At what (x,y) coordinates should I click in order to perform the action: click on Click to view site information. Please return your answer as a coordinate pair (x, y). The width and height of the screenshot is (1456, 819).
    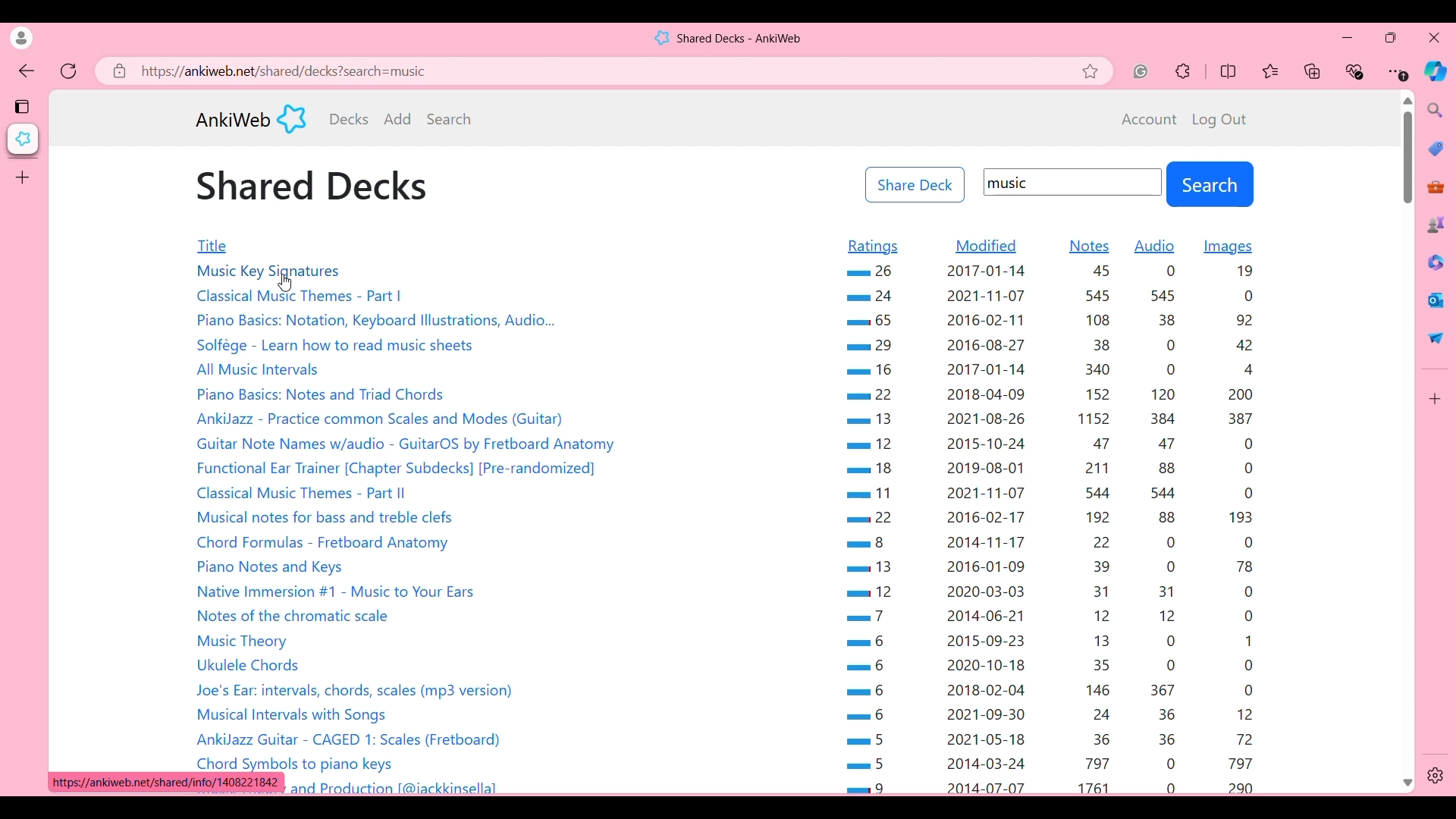
    Looking at the image, I should click on (117, 71).